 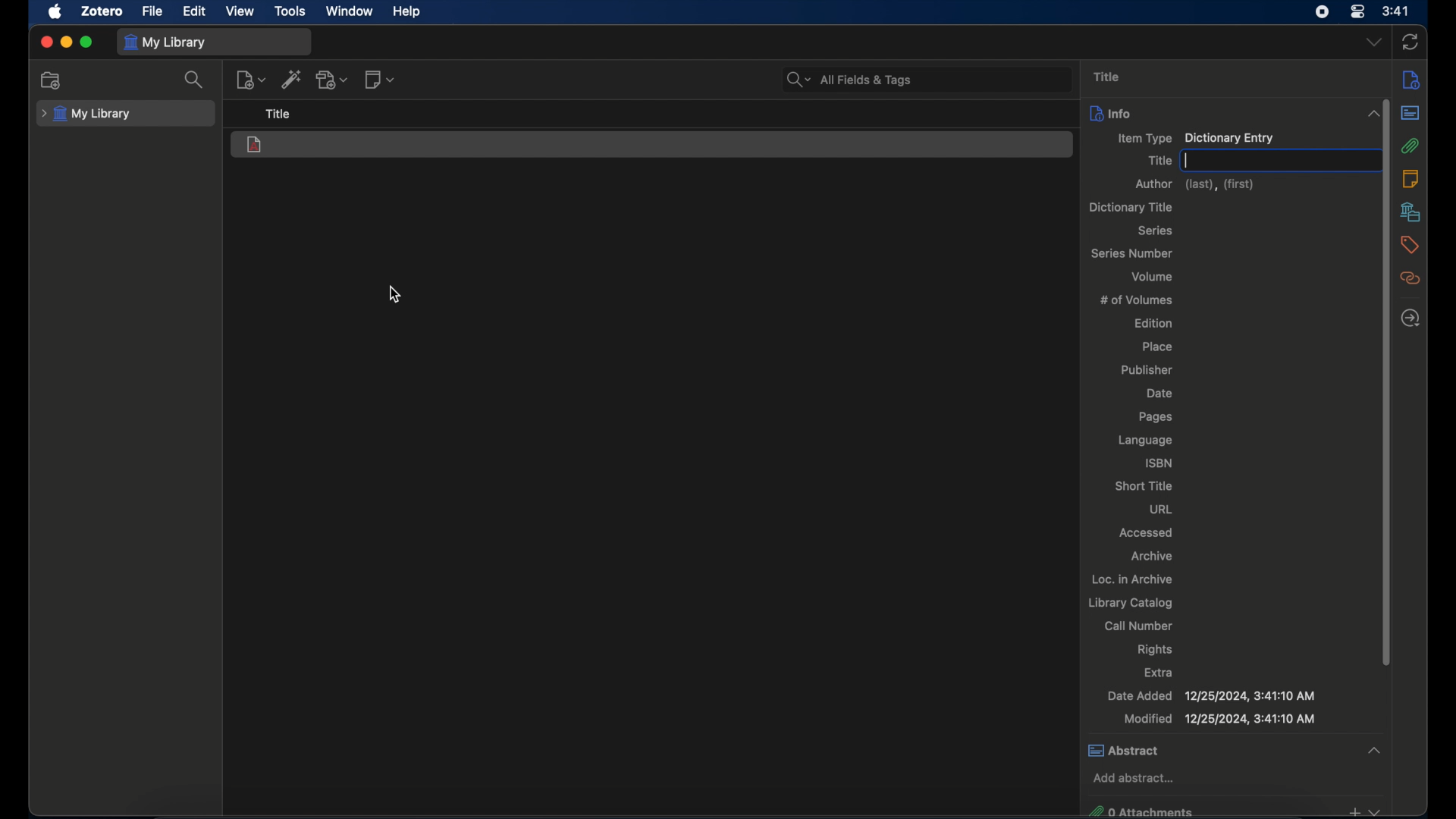 I want to click on help, so click(x=408, y=12).